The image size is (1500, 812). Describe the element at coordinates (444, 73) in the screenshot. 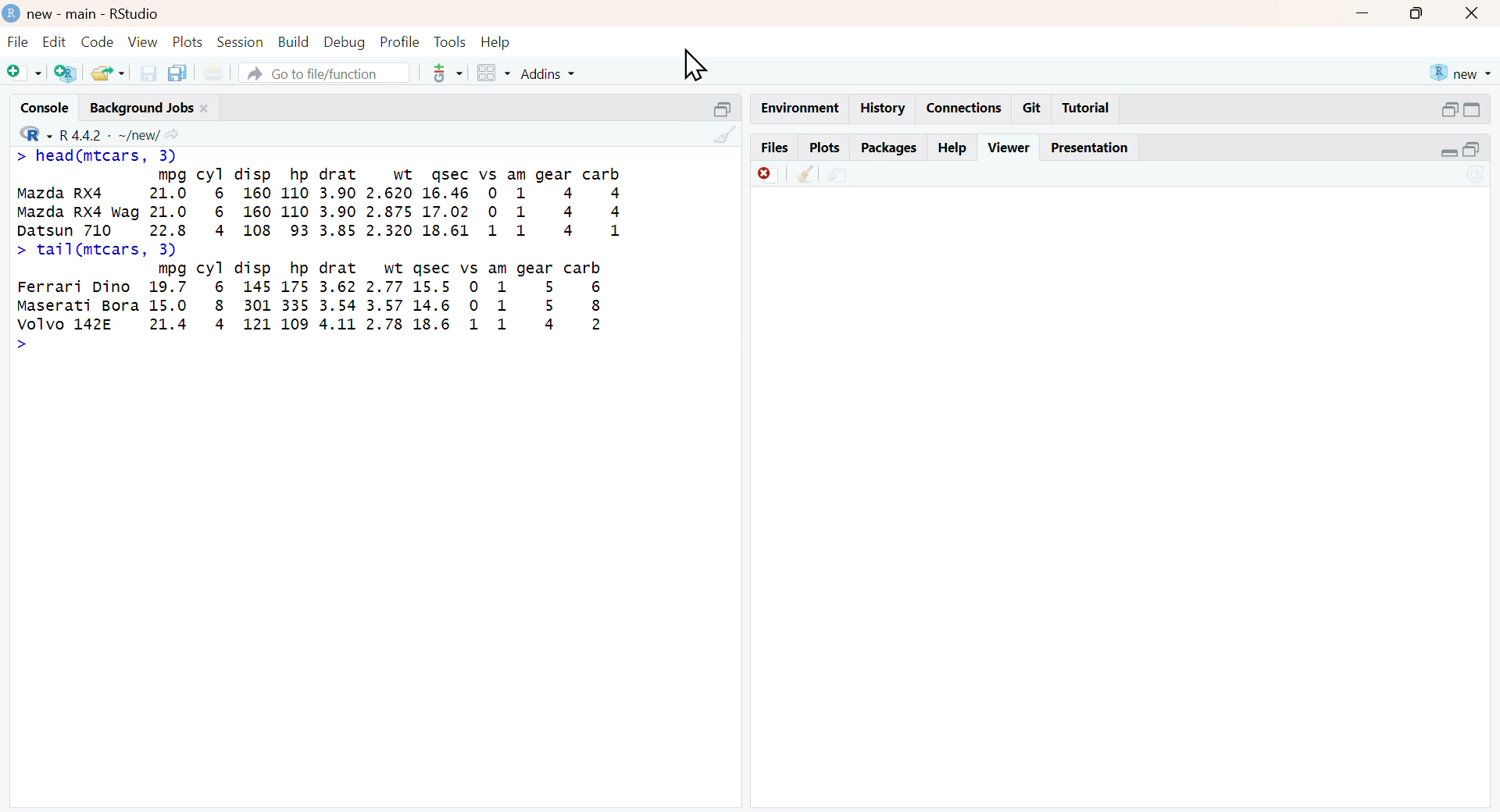

I see `version control` at that location.